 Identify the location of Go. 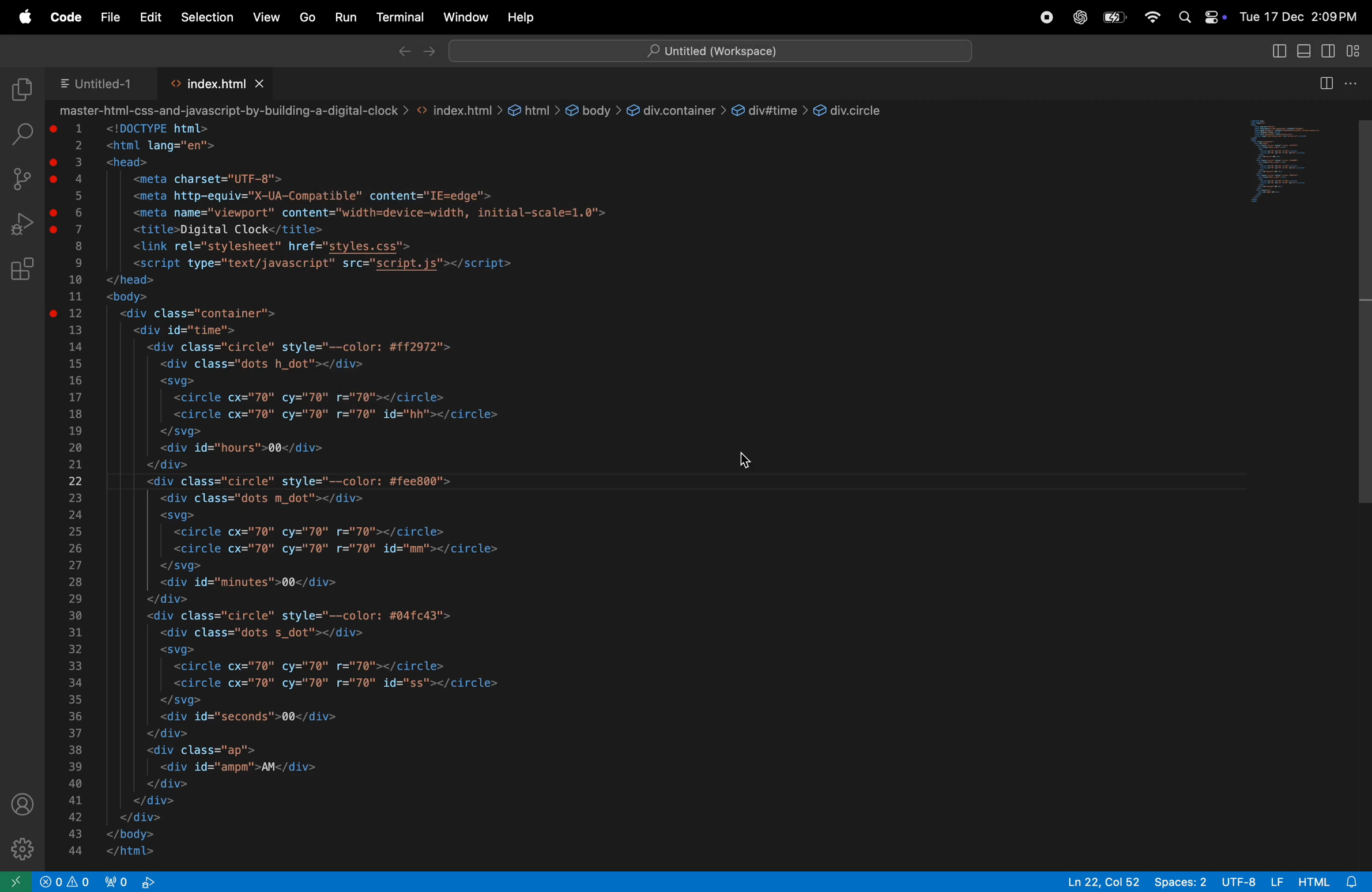
(307, 18).